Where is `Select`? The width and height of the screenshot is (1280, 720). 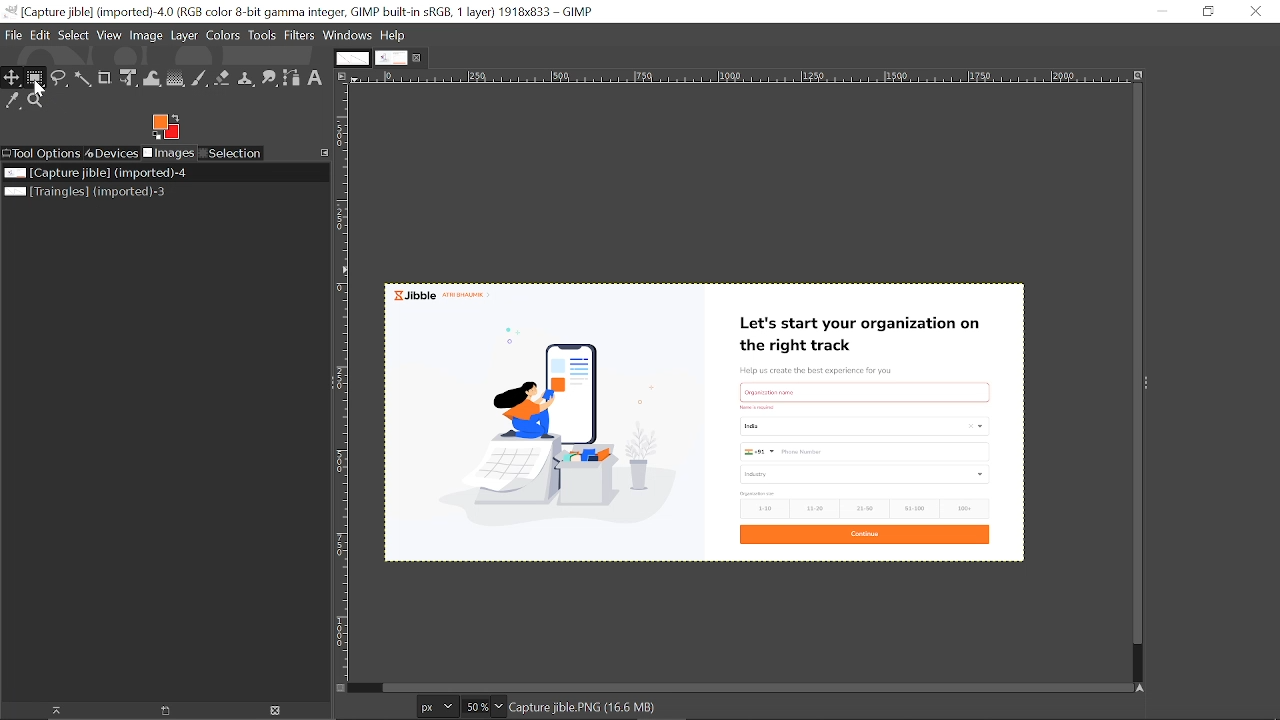 Select is located at coordinates (74, 35).